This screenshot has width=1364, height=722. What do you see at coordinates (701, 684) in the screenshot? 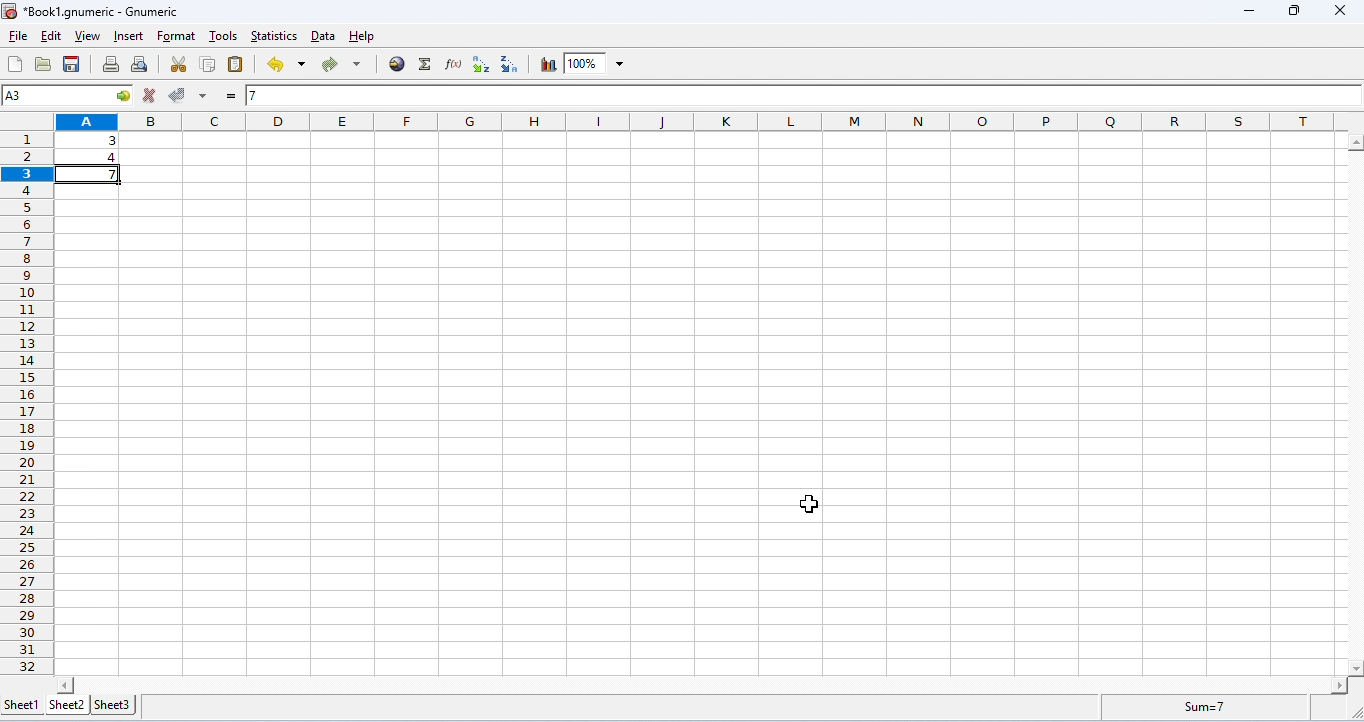
I see `space for horizontal column` at bounding box center [701, 684].